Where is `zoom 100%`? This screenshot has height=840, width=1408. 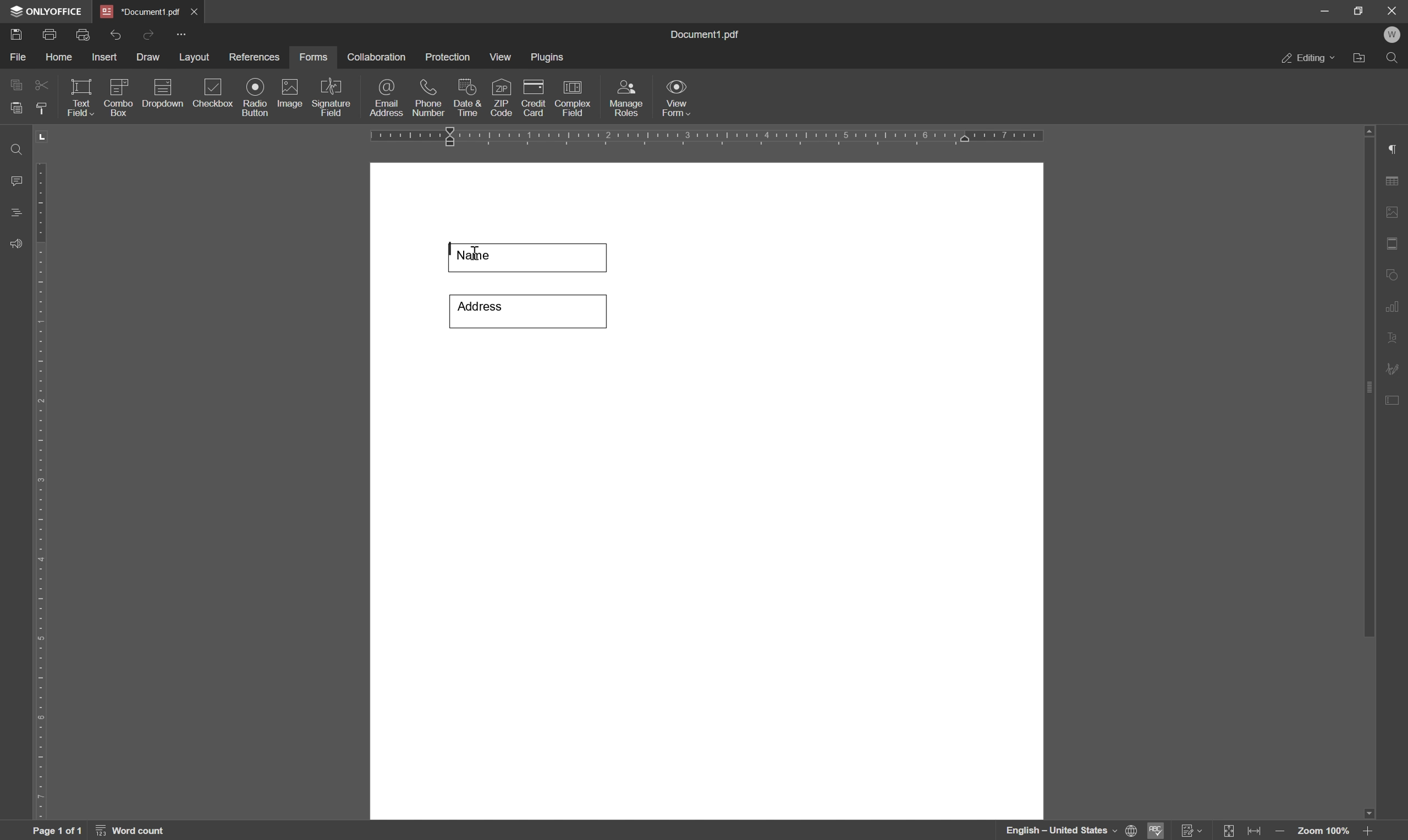 zoom 100% is located at coordinates (1323, 831).